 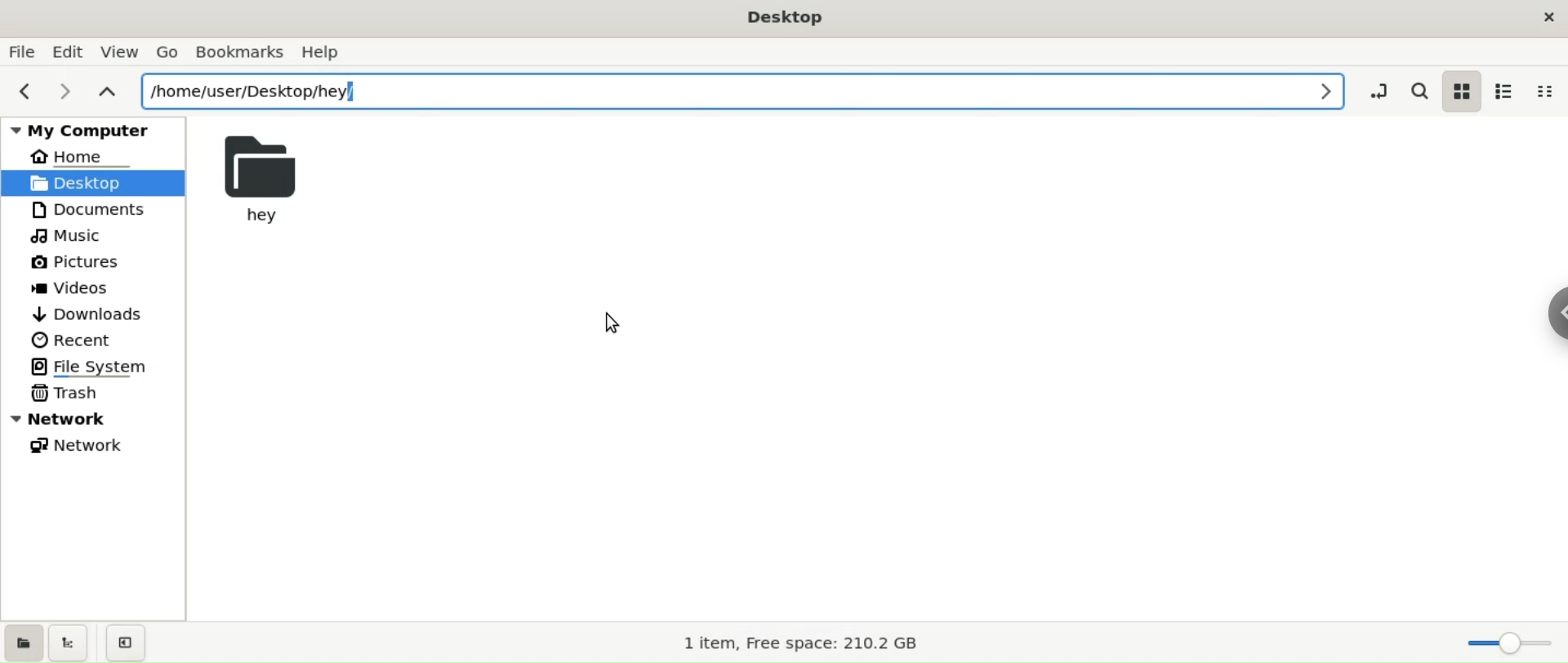 What do you see at coordinates (68, 51) in the screenshot?
I see `edit` at bounding box center [68, 51].